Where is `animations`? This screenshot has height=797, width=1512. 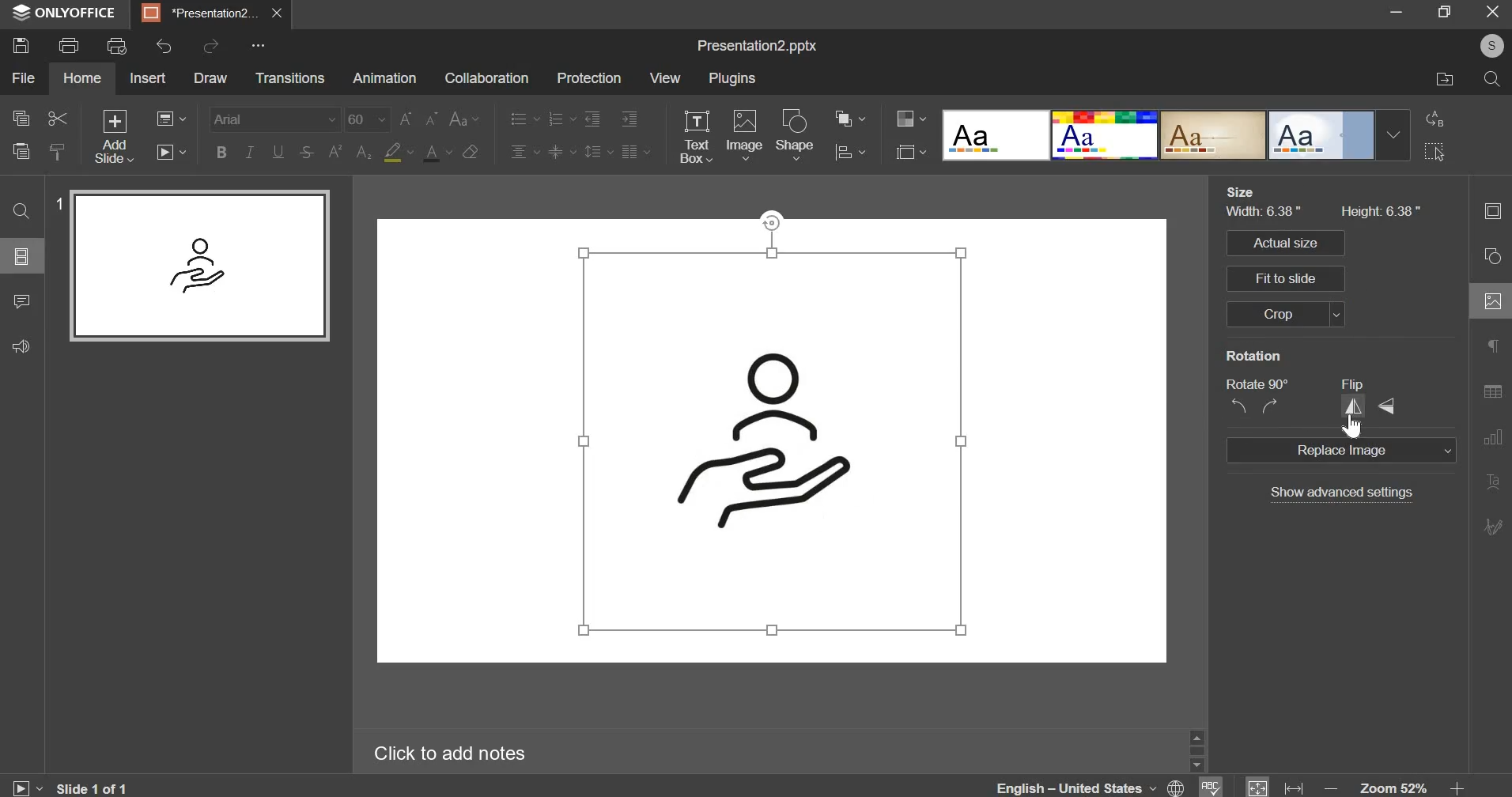
animations is located at coordinates (383, 78).